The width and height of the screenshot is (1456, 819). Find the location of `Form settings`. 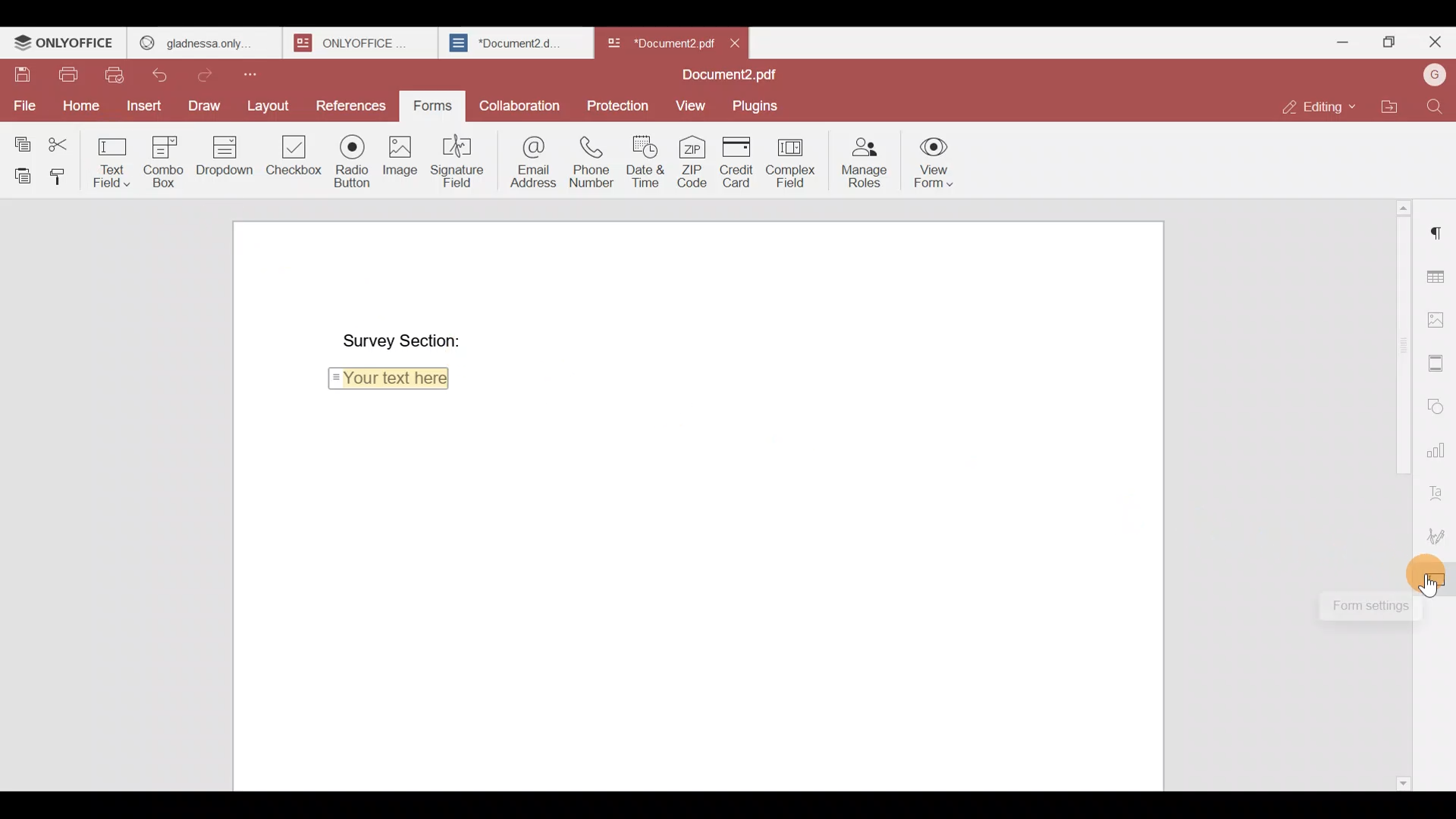

Form settings is located at coordinates (1437, 582).